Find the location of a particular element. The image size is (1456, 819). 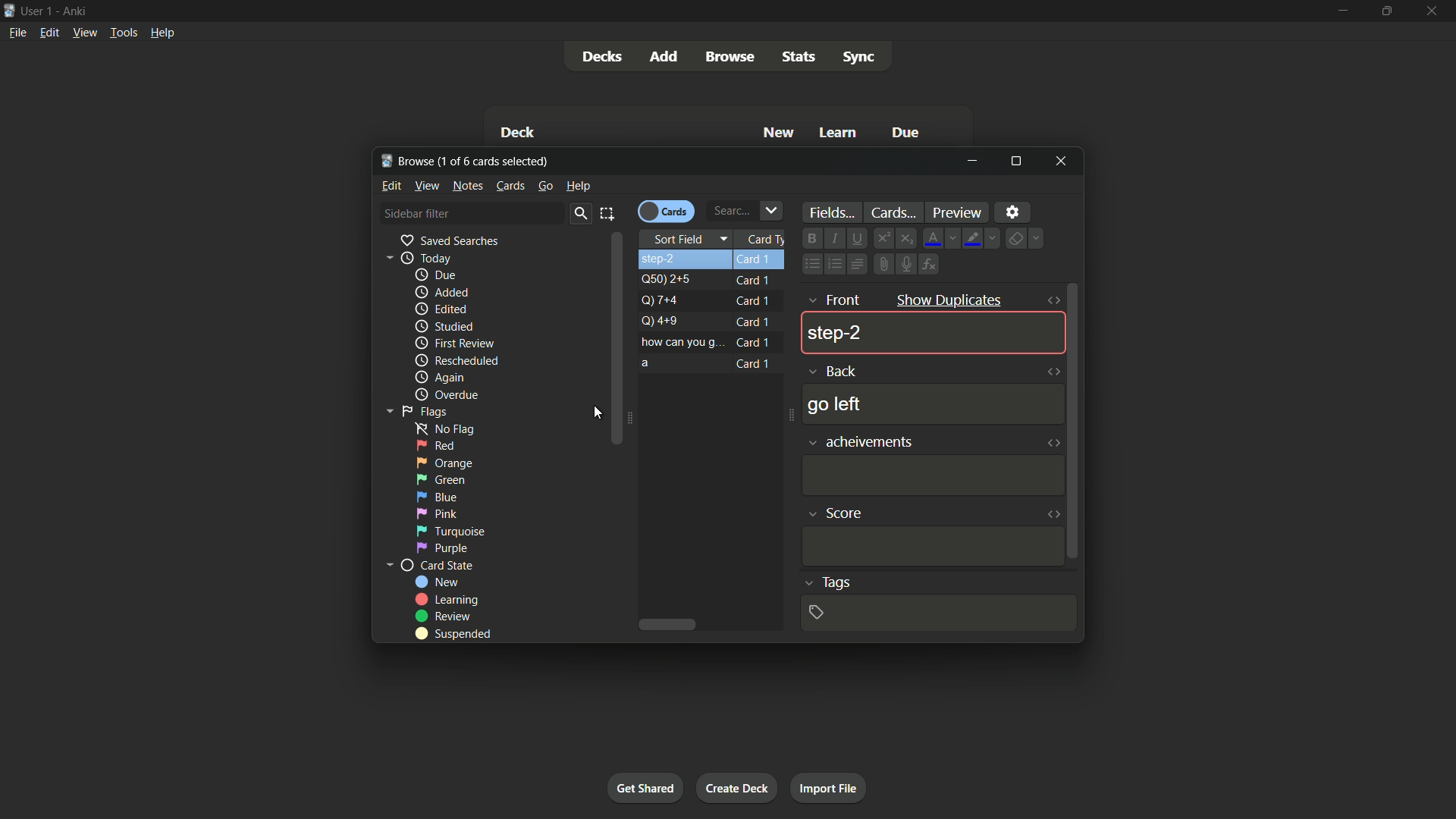

Go left is located at coordinates (833, 404).